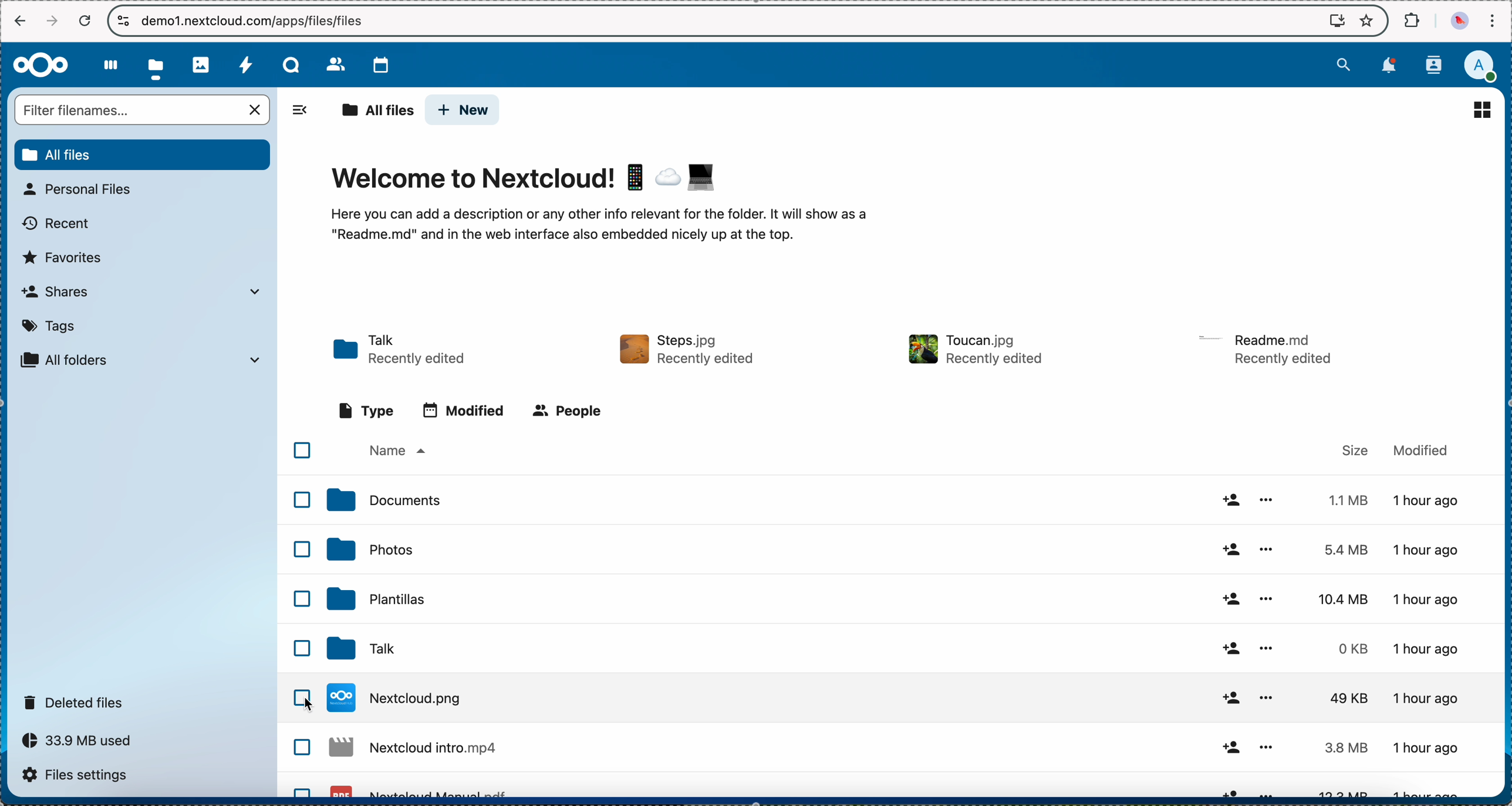  Describe the element at coordinates (897, 648) in the screenshot. I see `Talk` at that location.